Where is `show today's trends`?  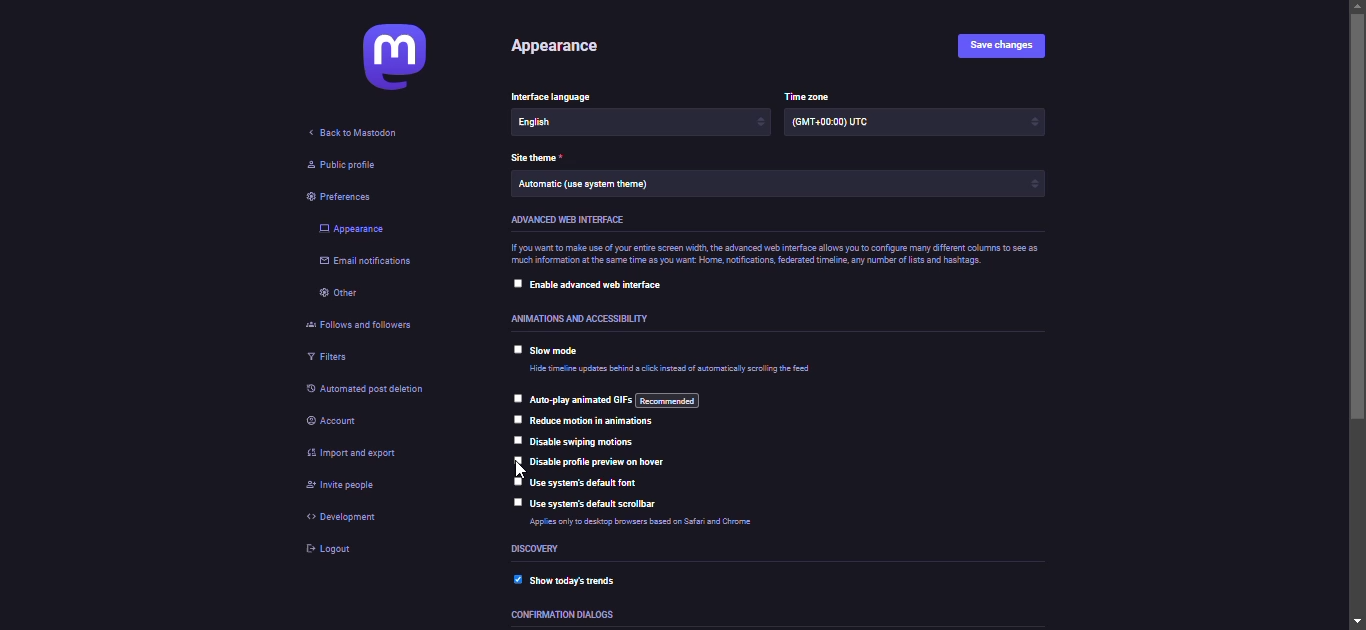
show today's trends is located at coordinates (584, 579).